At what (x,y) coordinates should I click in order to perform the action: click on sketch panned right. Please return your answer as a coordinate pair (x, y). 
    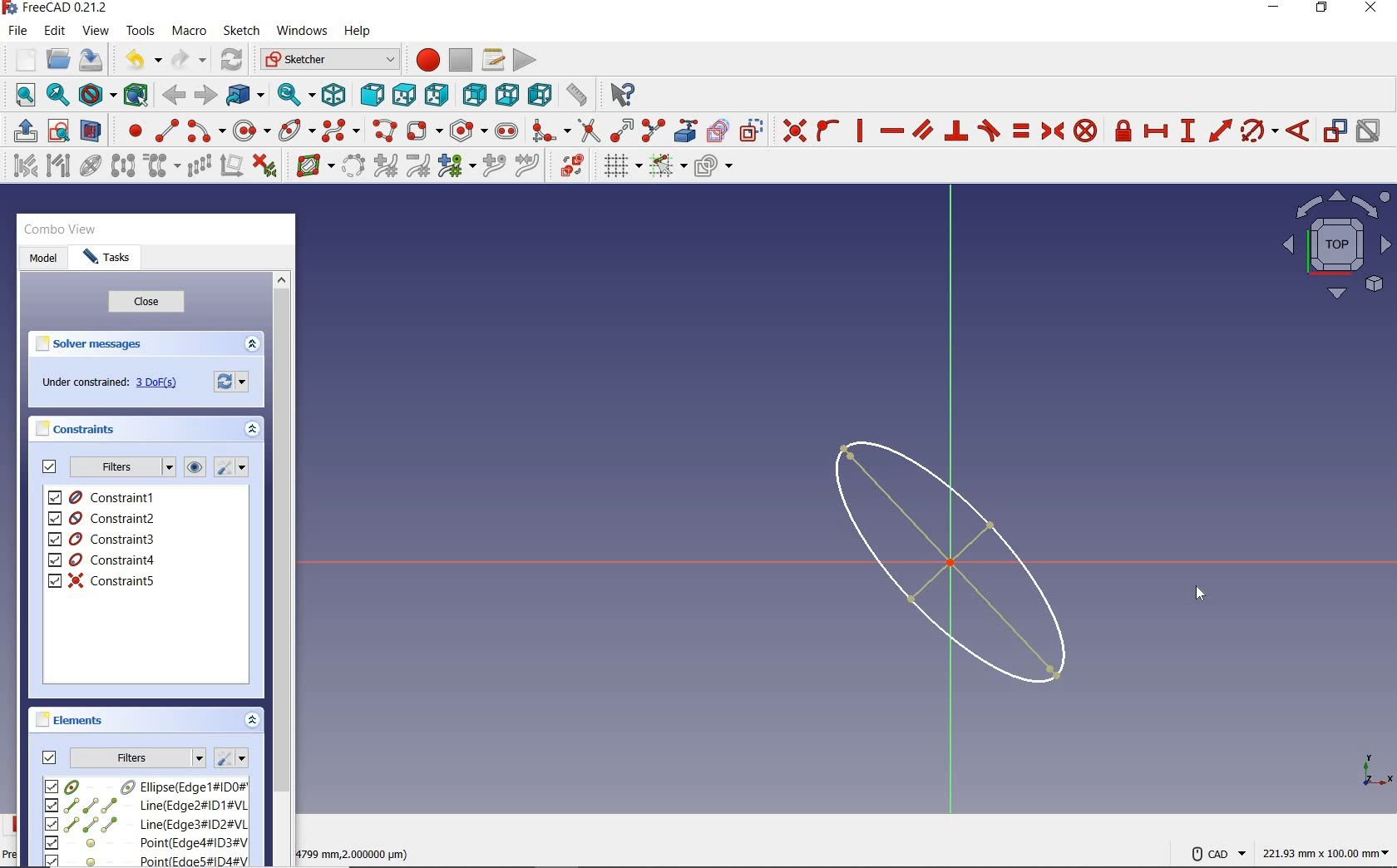
    Looking at the image, I should click on (960, 562).